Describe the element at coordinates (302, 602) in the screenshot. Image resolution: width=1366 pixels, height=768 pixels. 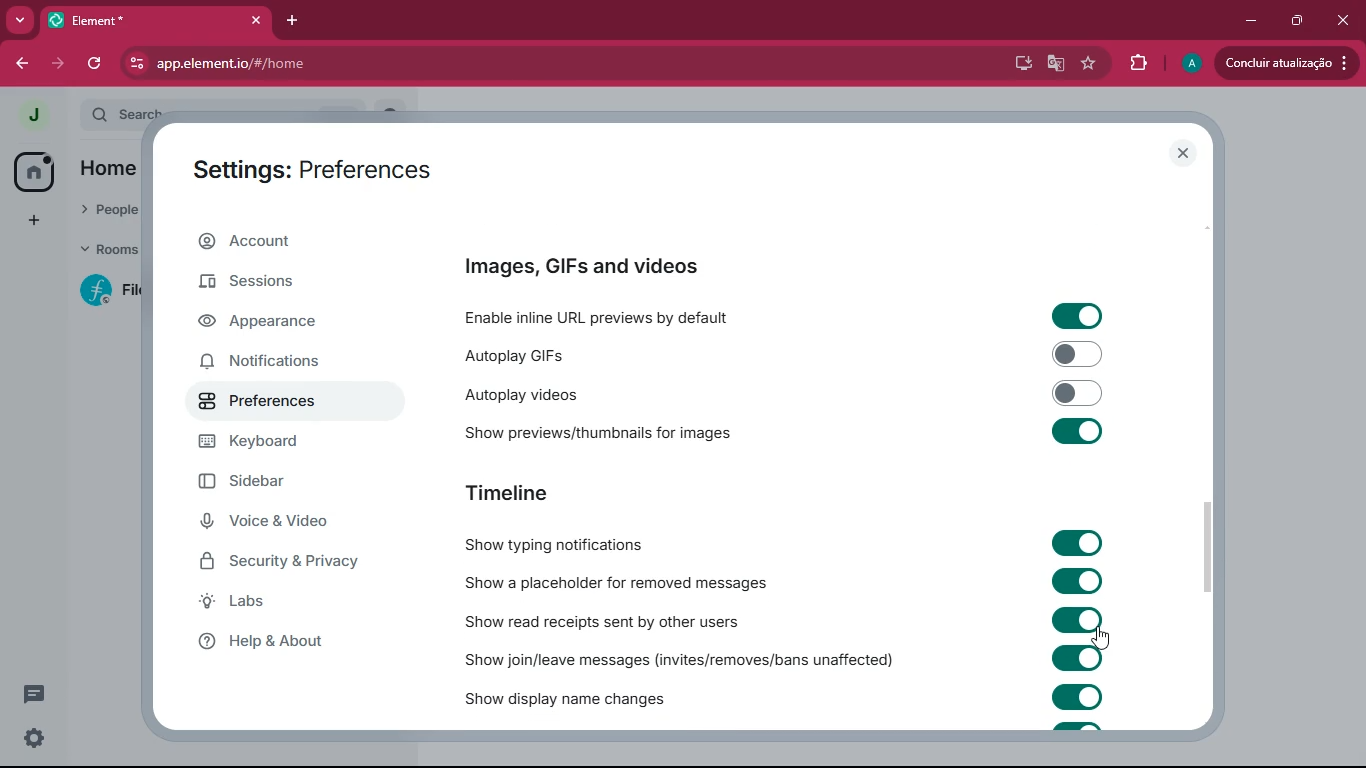
I see `labs` at that location.